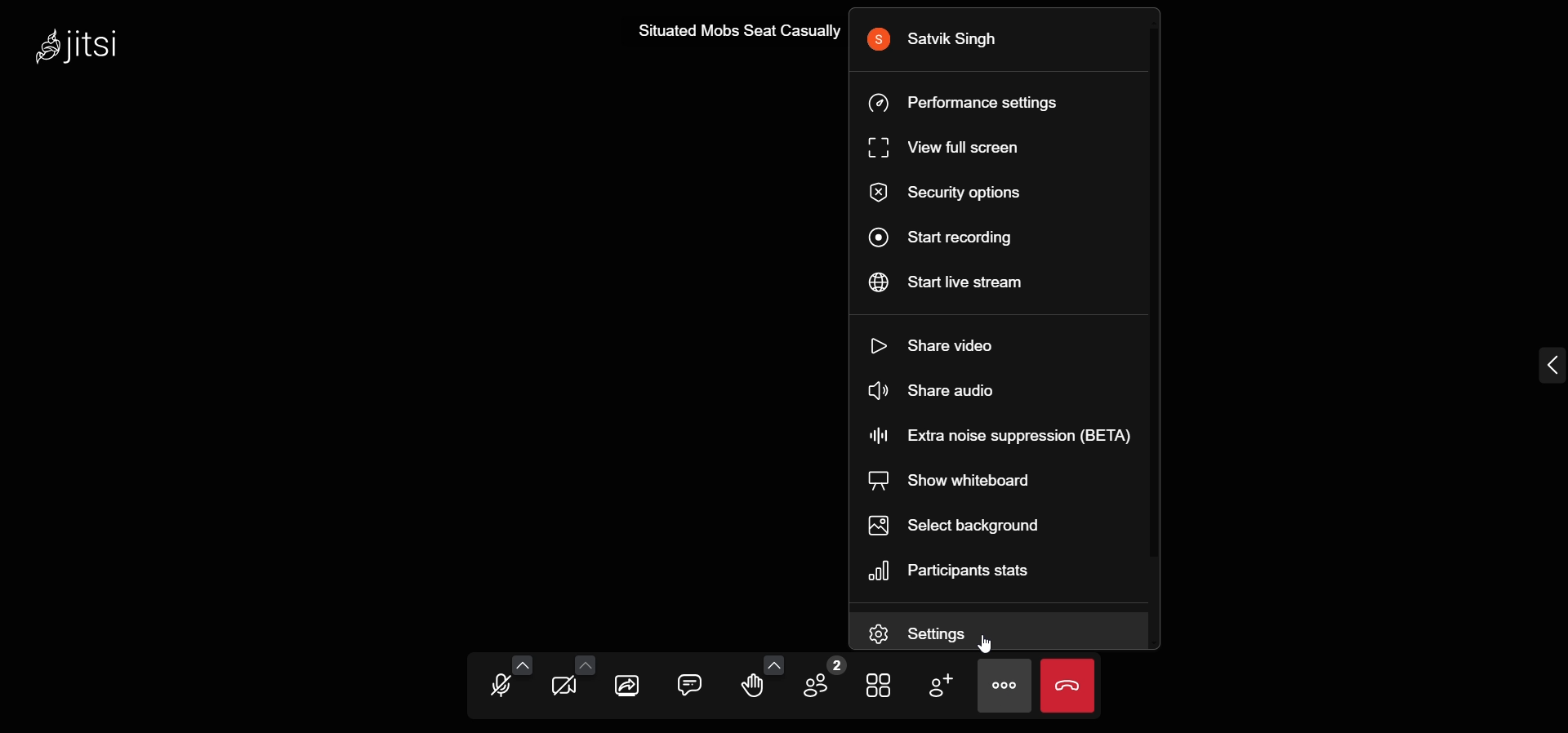 The height and width of the screenshot is (733, 1568). I want to click on more audio option, so click(520, 664).